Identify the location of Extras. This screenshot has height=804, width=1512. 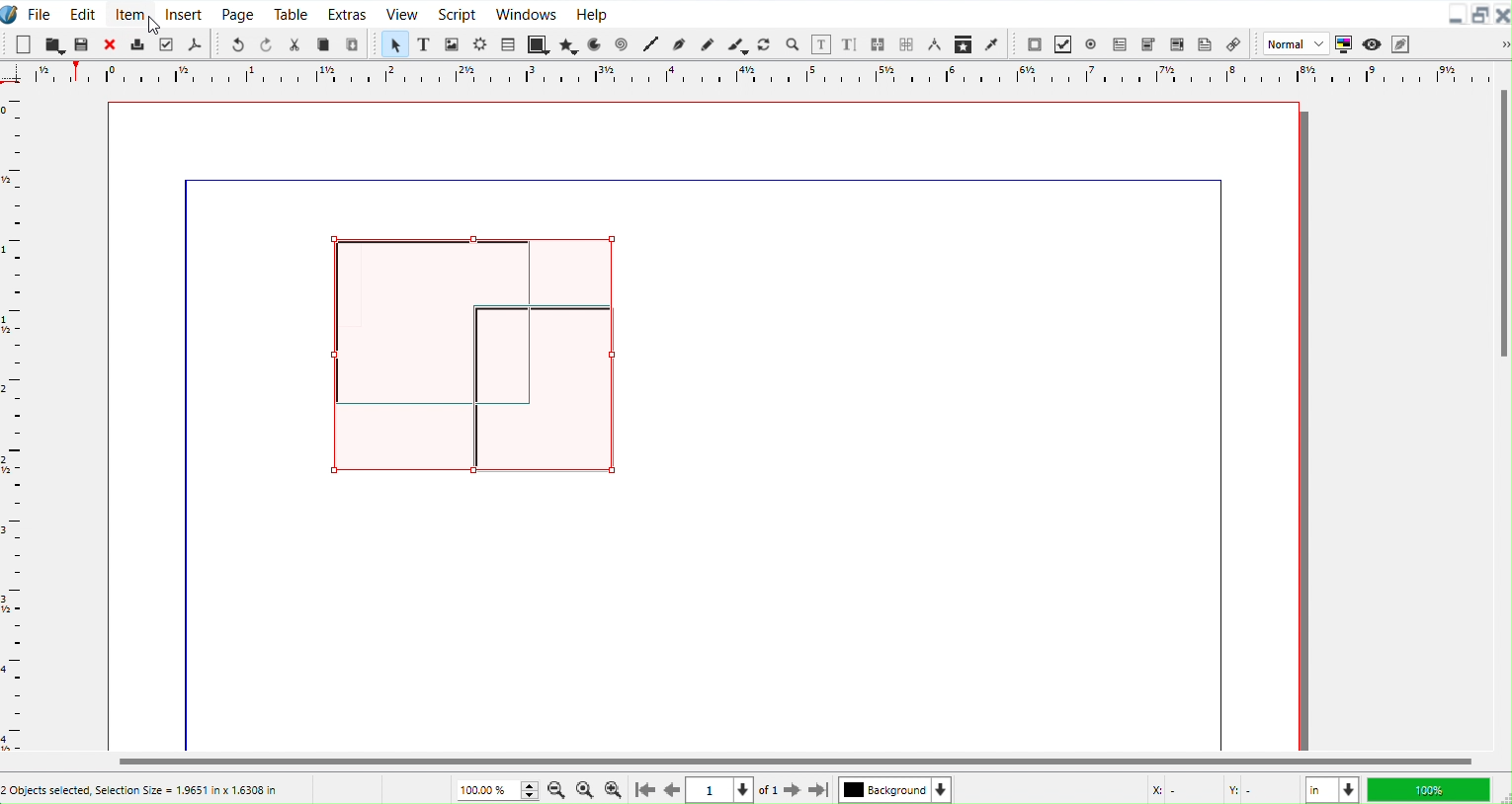
(348, 13).